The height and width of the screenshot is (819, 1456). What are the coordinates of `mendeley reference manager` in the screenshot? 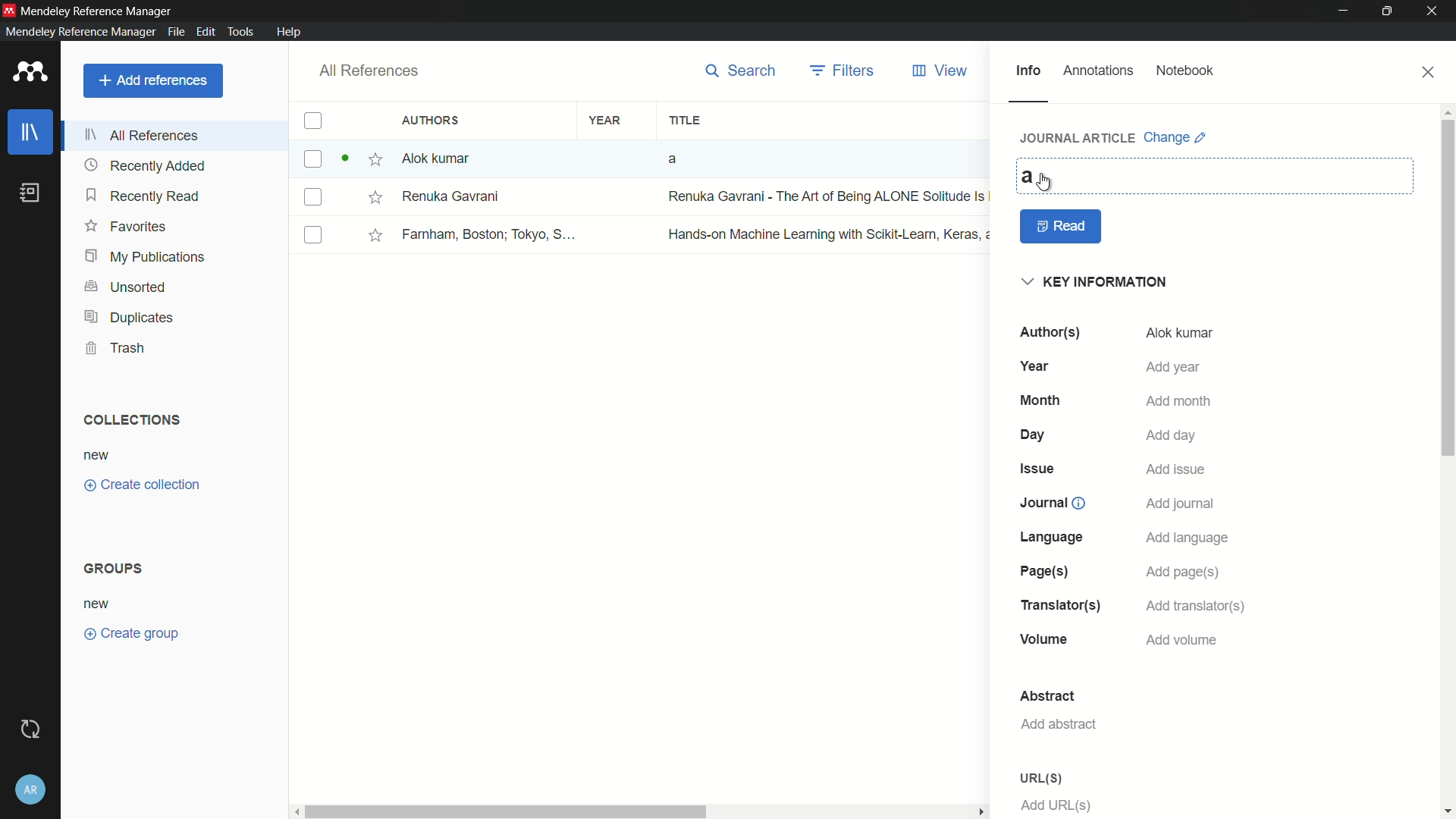 It's located at (80, 31).